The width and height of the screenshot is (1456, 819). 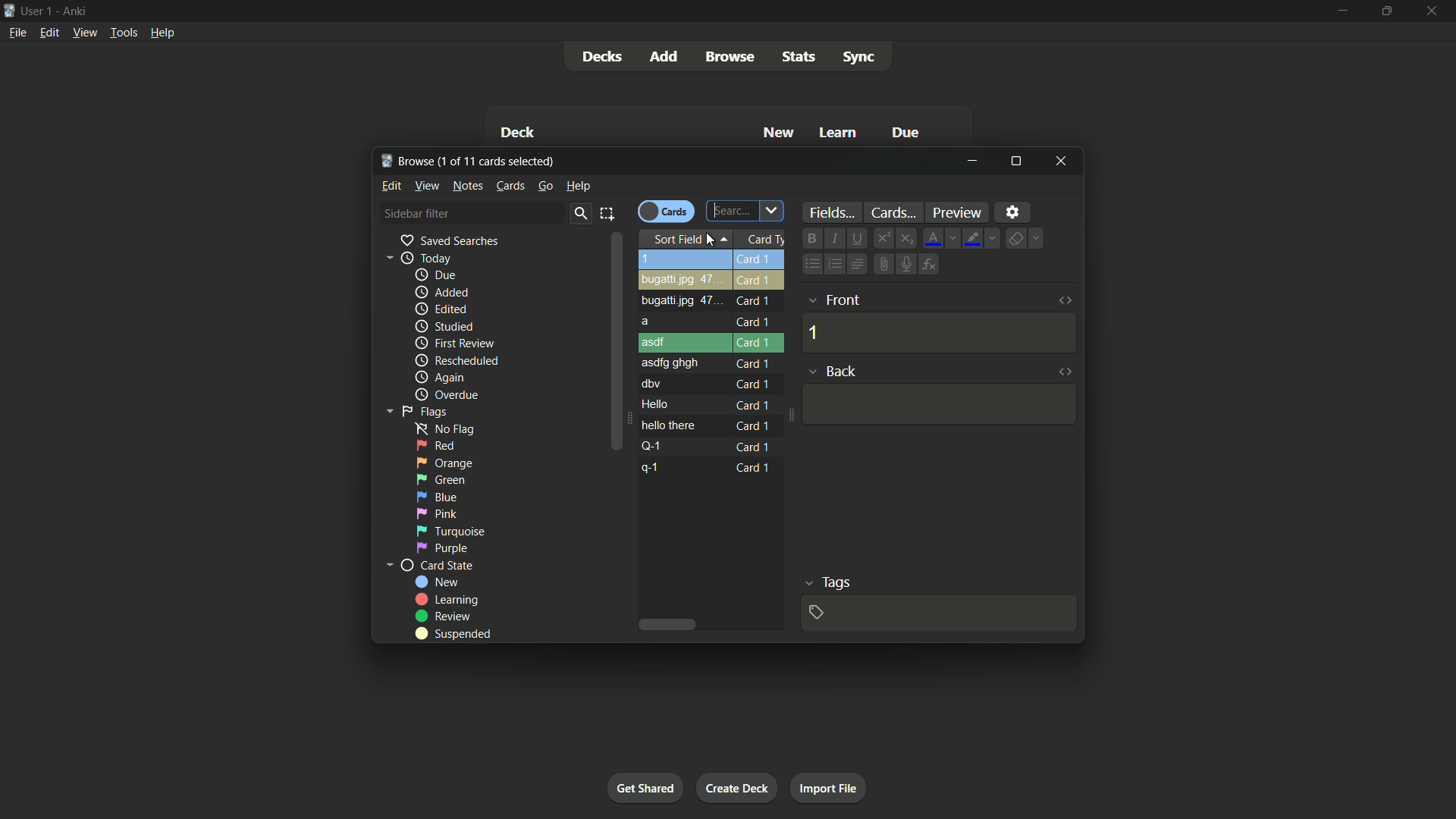 I want to click on view menu, so click(x=86, y=33).